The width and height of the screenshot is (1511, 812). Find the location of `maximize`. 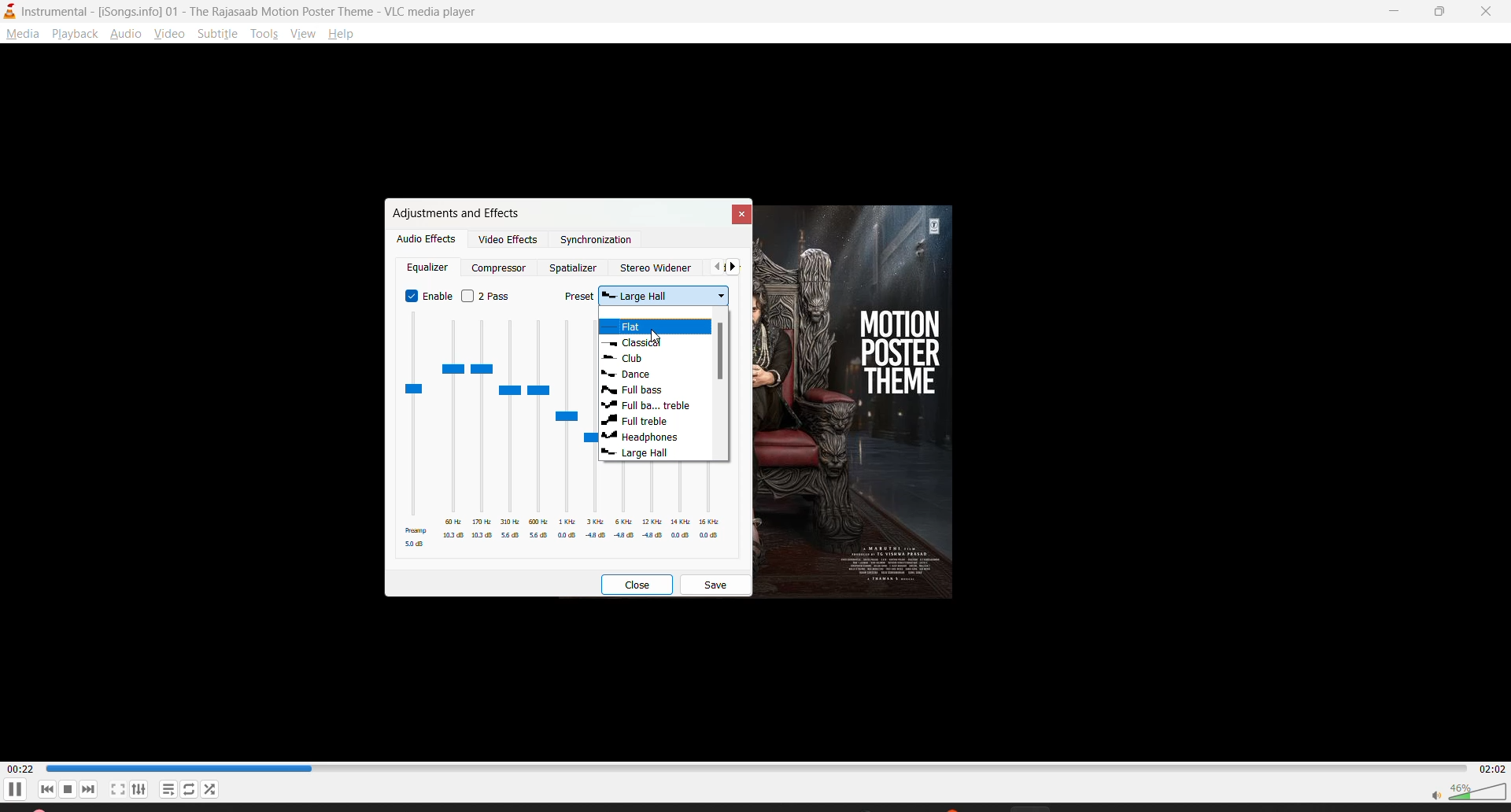

maximize is located at coordinates (1444, 13).